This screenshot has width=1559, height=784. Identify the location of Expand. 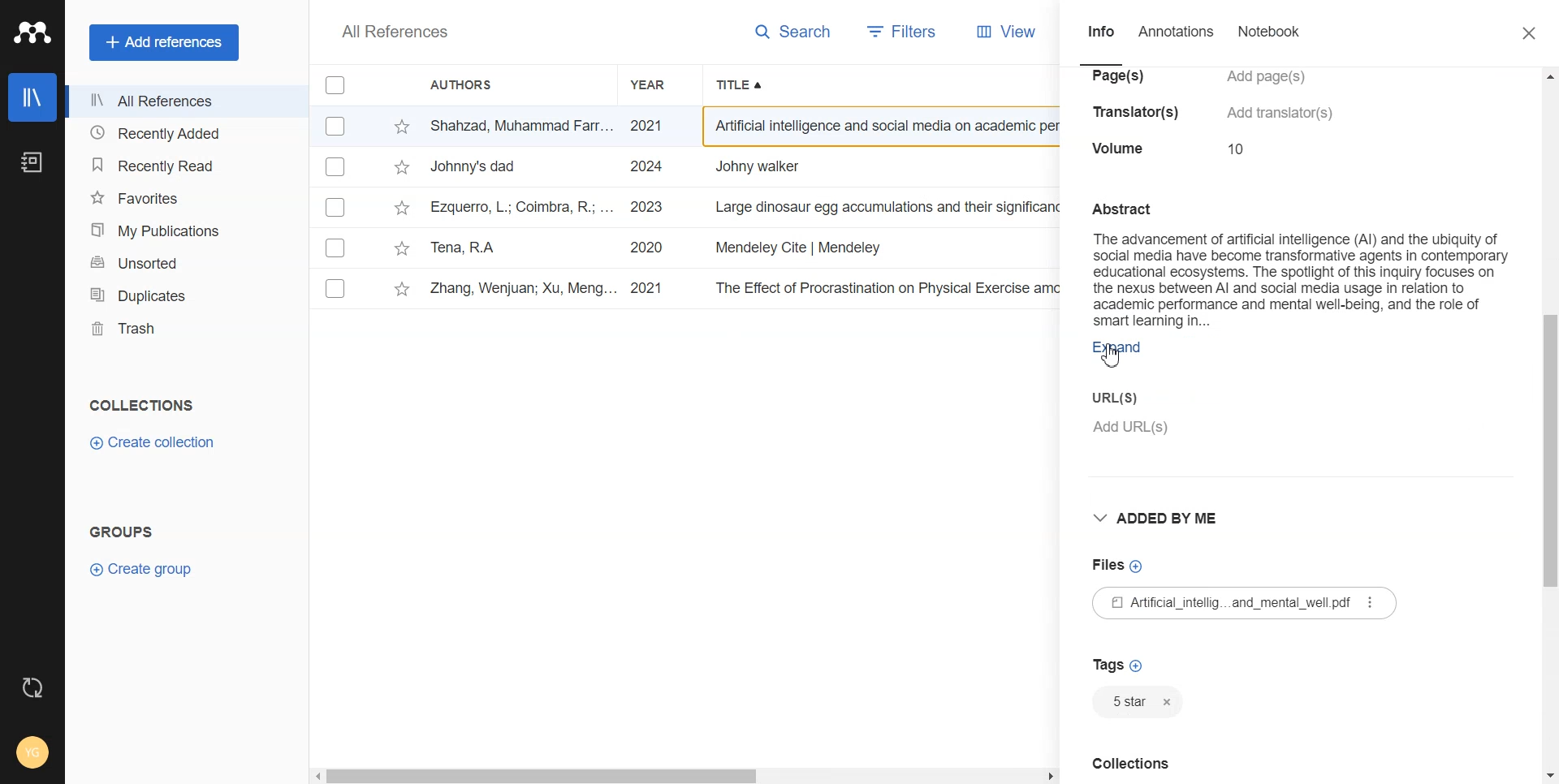
(1119, 353).